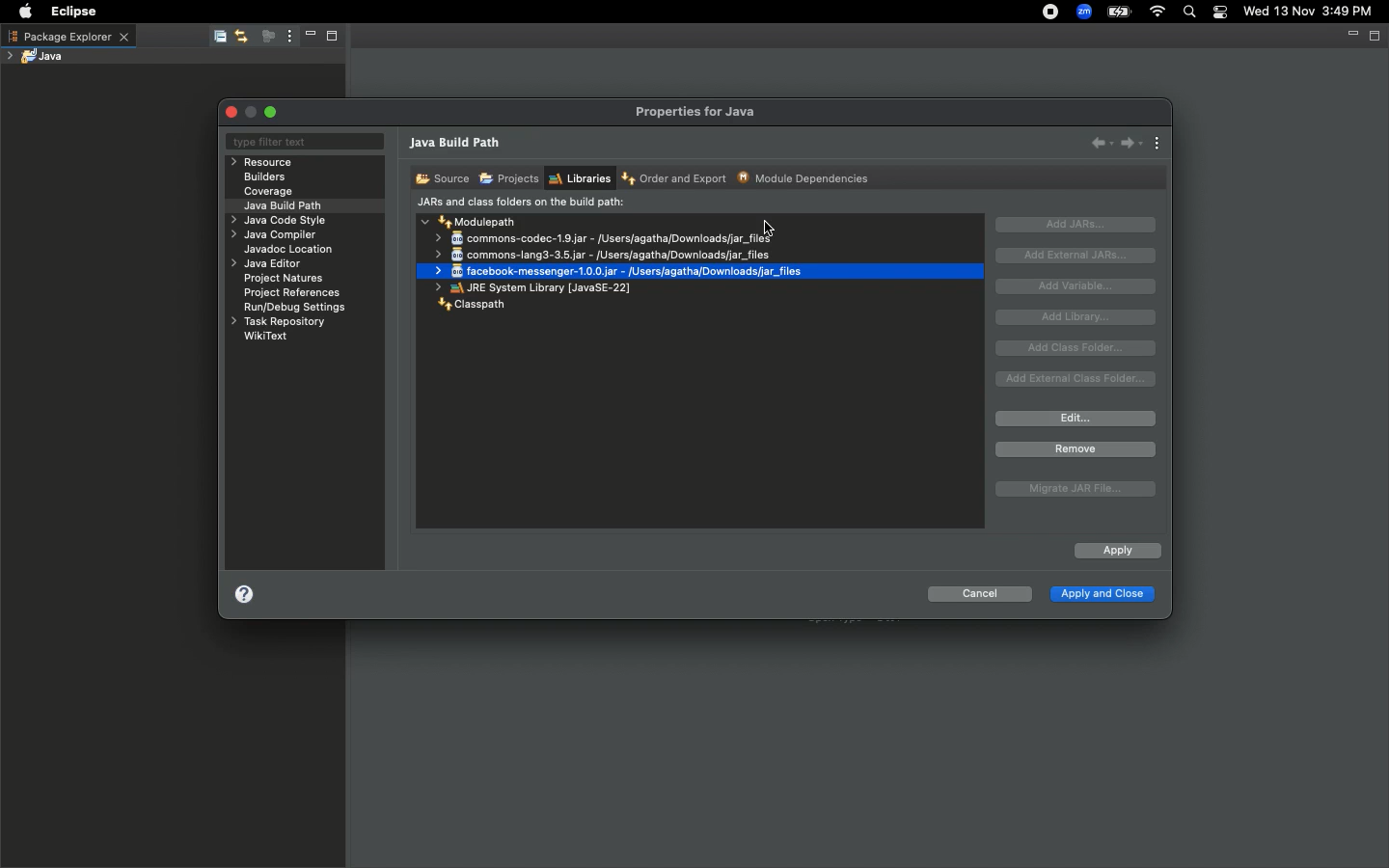 The width and height of the screenshot is (1389, 868). I want to click on Apple logo, so click(25, 12).